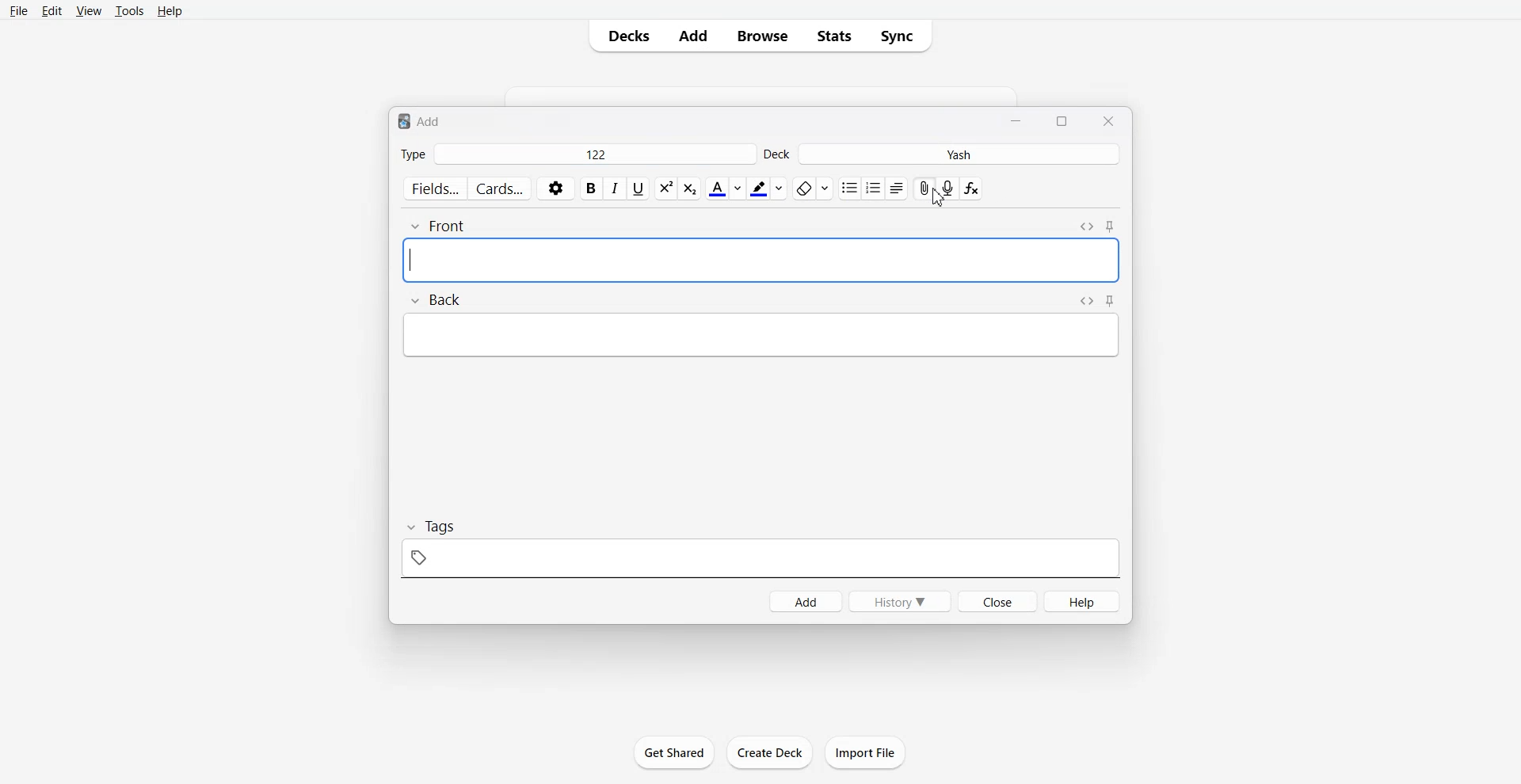 The image size is (1521, 784). I want to click on Browse, so click(763, 36).